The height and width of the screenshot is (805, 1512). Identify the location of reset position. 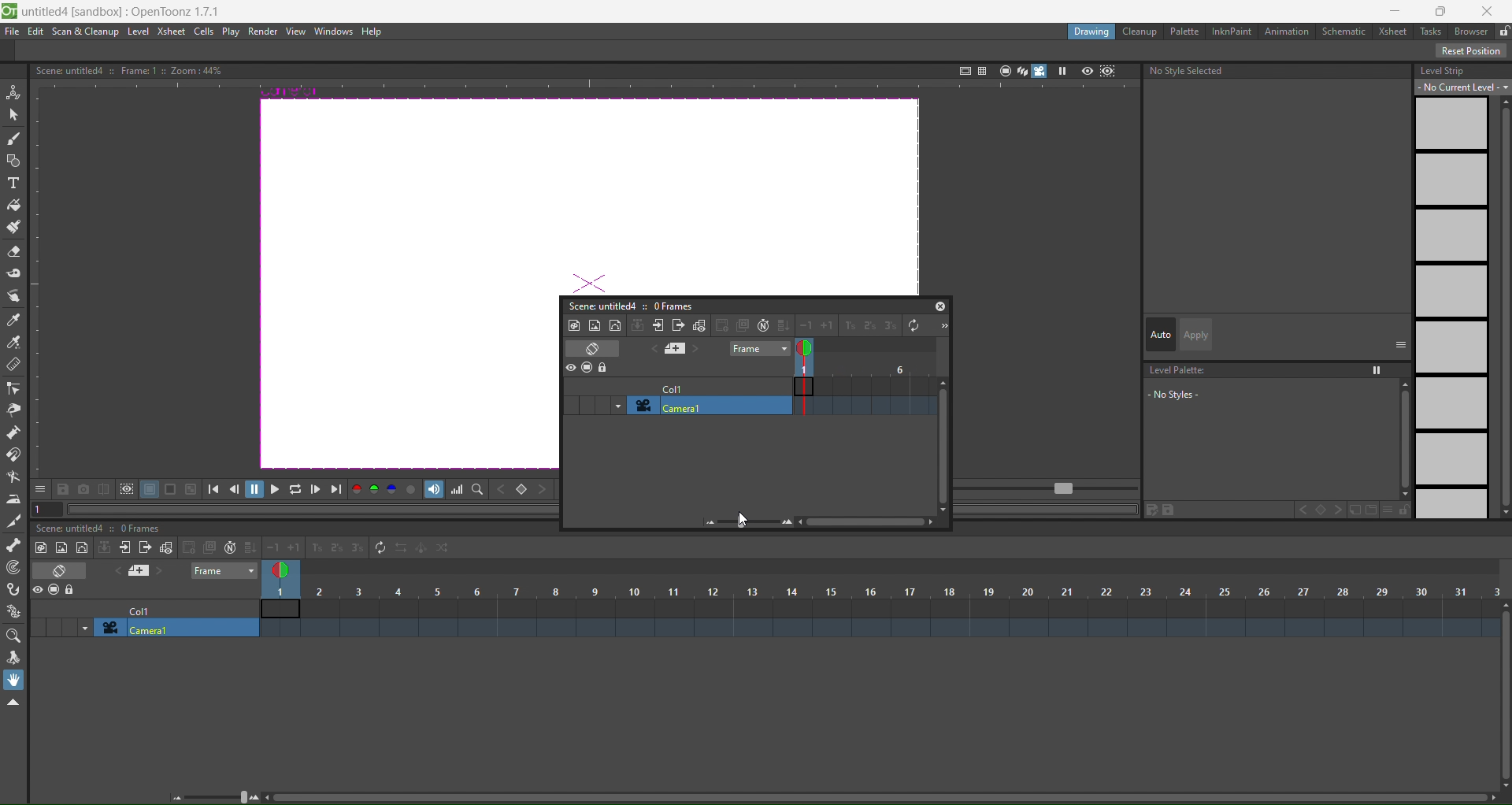
(1473, 51).